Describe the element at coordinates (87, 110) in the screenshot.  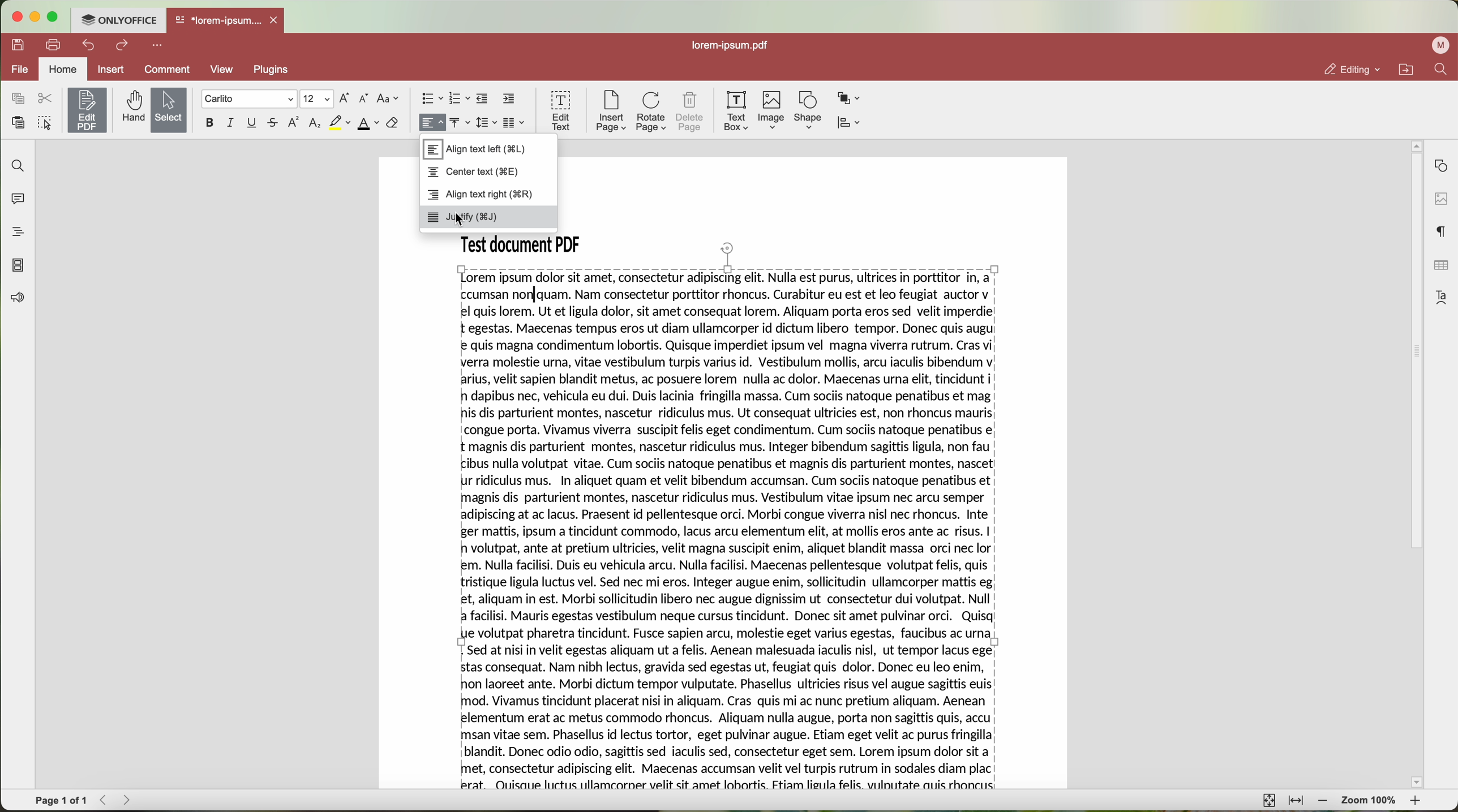
I see `edit PDF` at that location.